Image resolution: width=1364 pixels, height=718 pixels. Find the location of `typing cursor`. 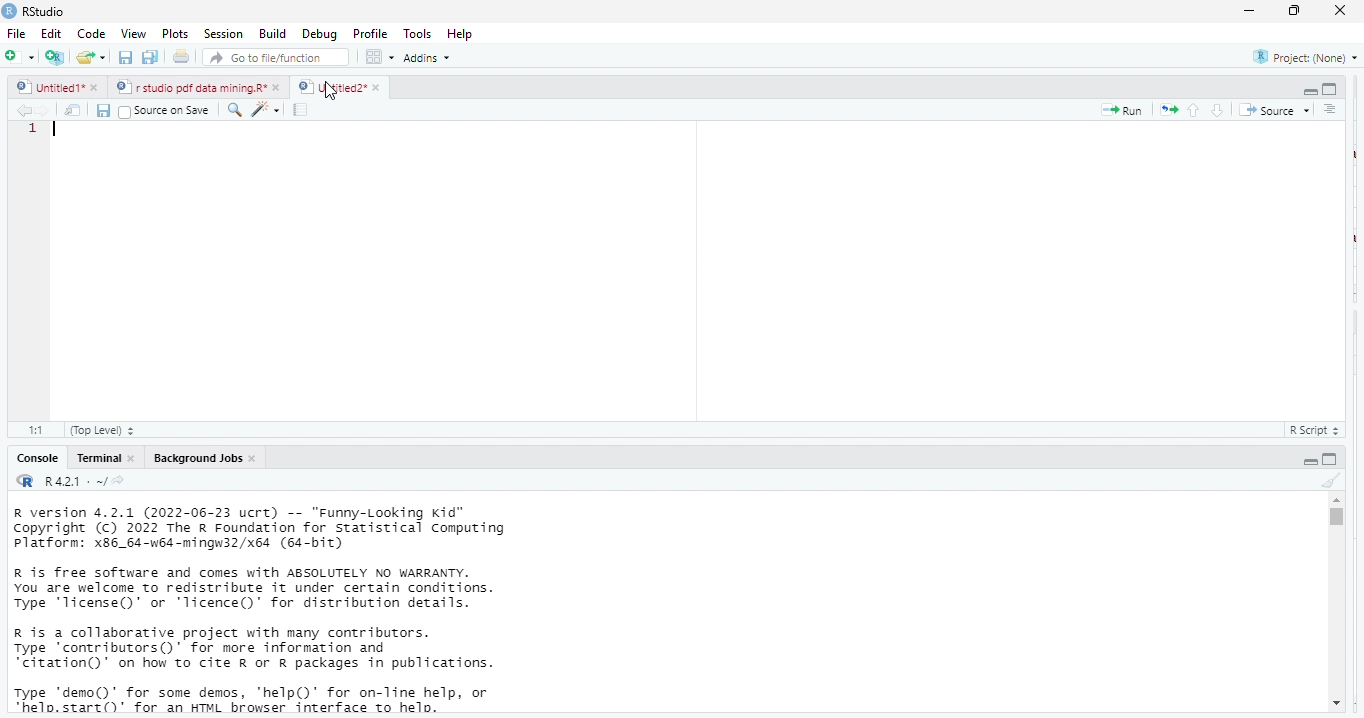

typing cursor is located at coordinates (64, 133).